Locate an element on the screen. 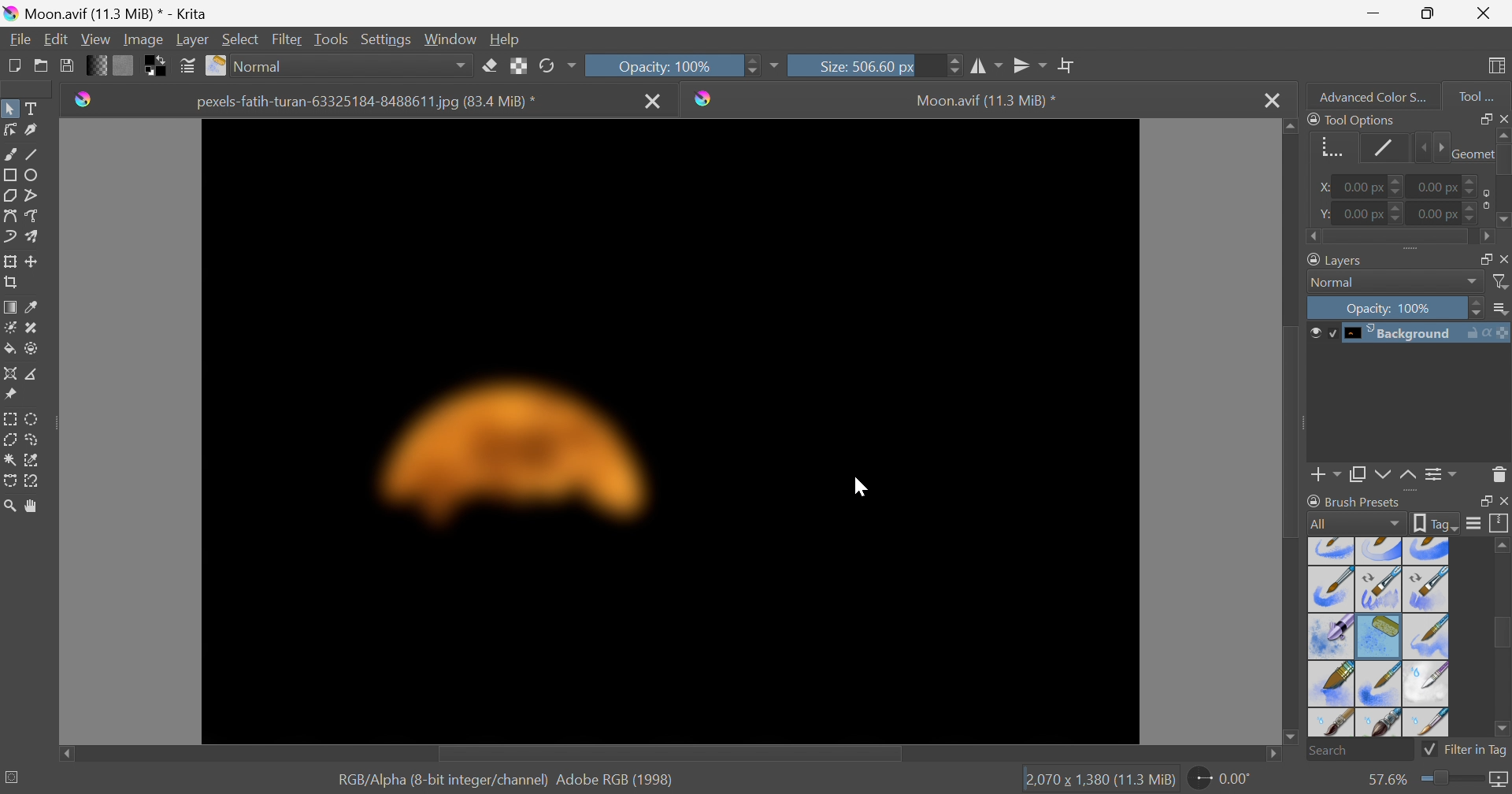 This screenshot has height=794, width=1512. Krita icon is located at coordinates (80, 102).